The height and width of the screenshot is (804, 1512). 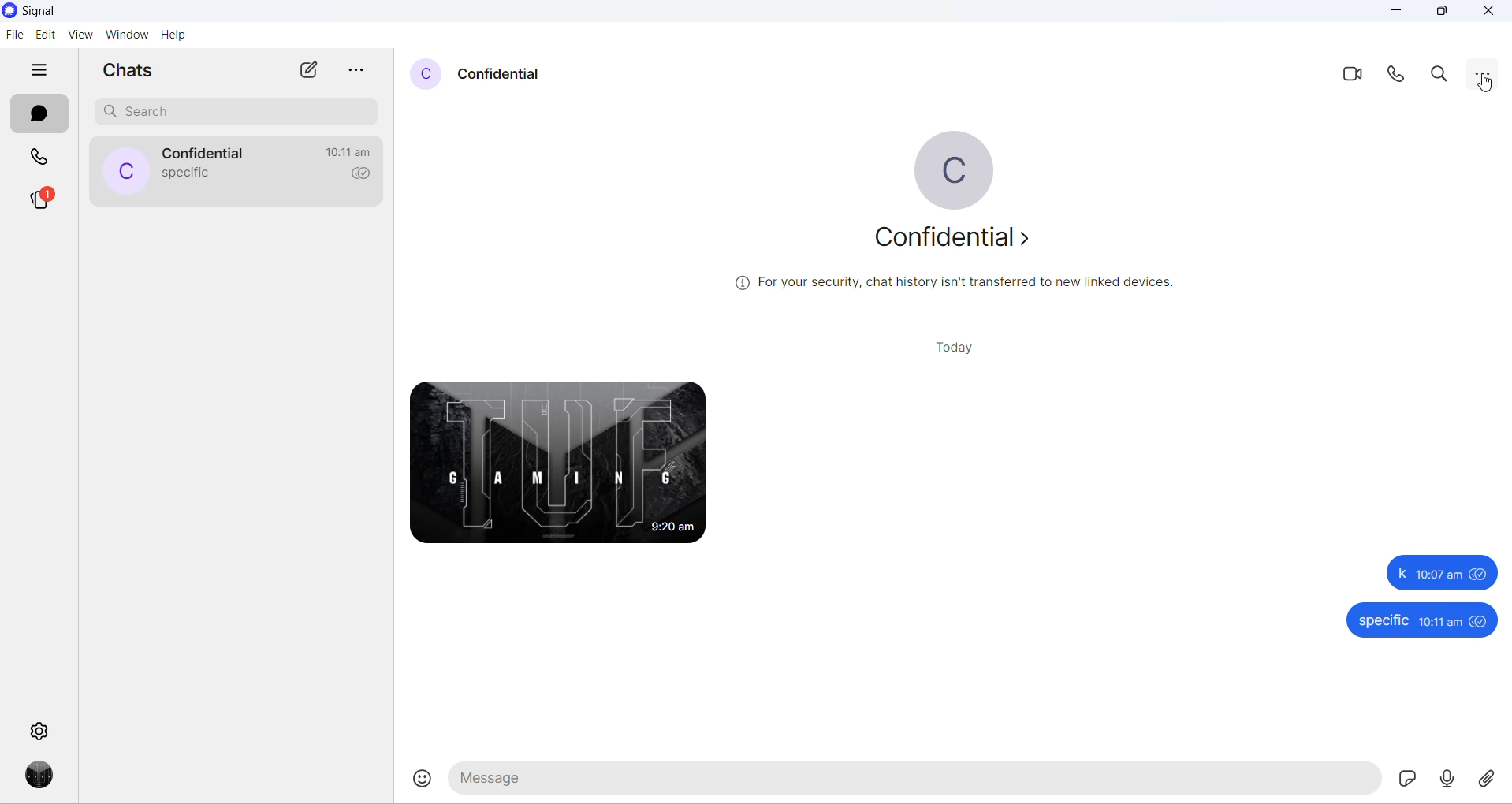 I want to click on chats heading, so click(x=130, y=73).